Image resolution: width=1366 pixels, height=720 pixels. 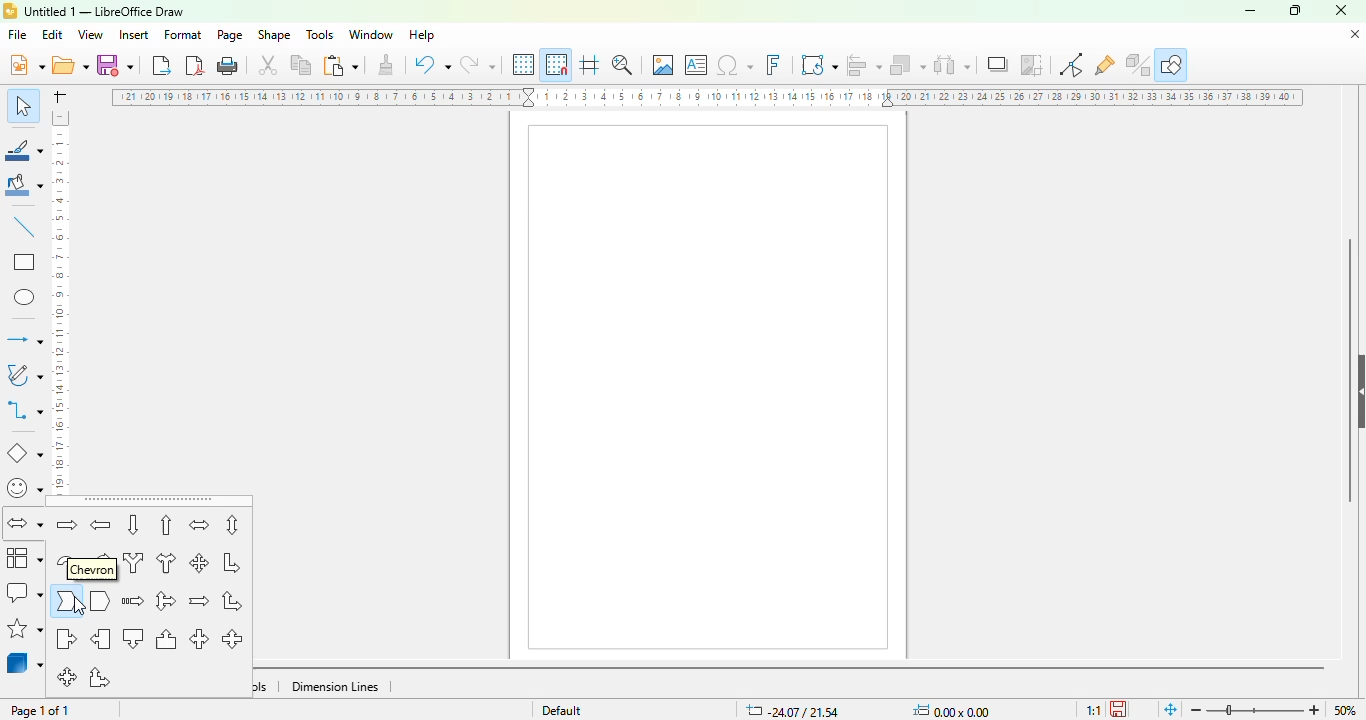 What do you see at coordinates (268, 65) in the screenshot?
I see `cut` at bounding box center [268, 65].